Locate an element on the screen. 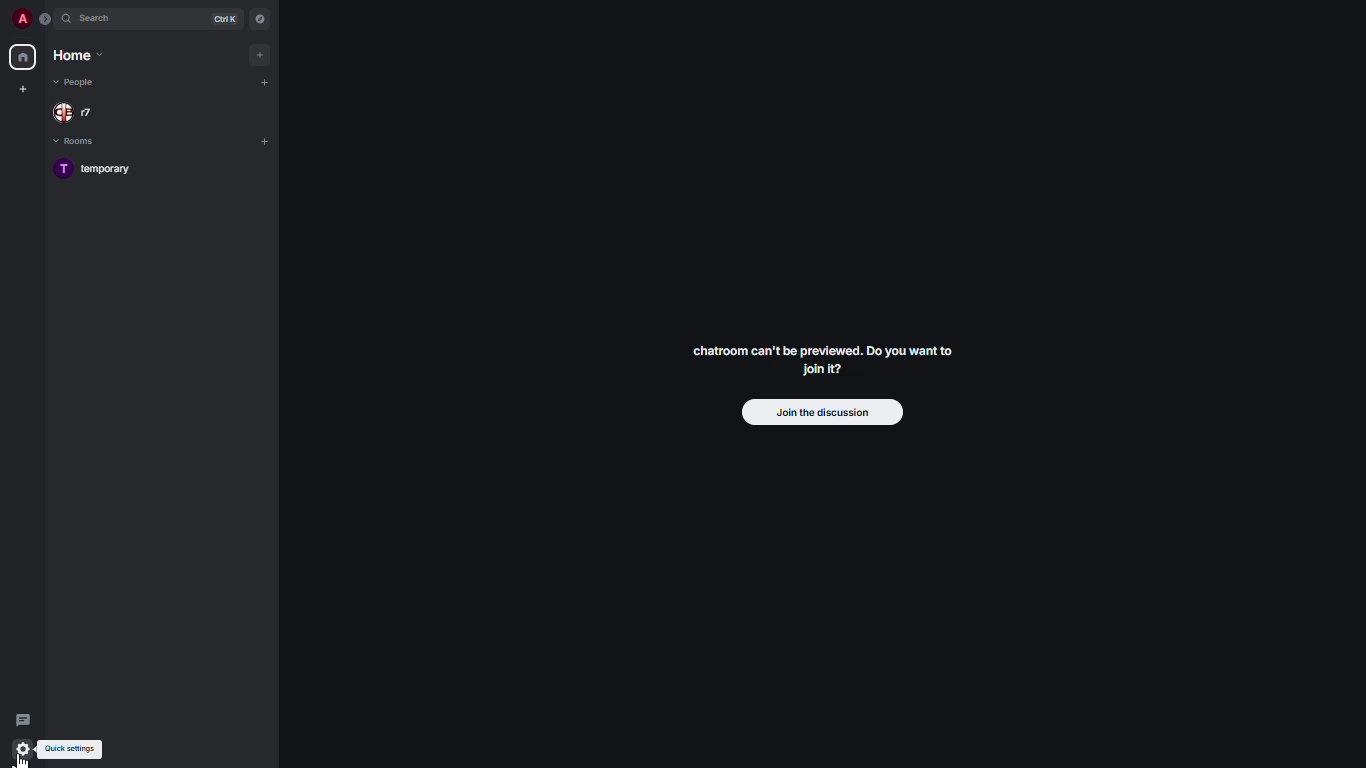  people is located at coordinates (77, 84).